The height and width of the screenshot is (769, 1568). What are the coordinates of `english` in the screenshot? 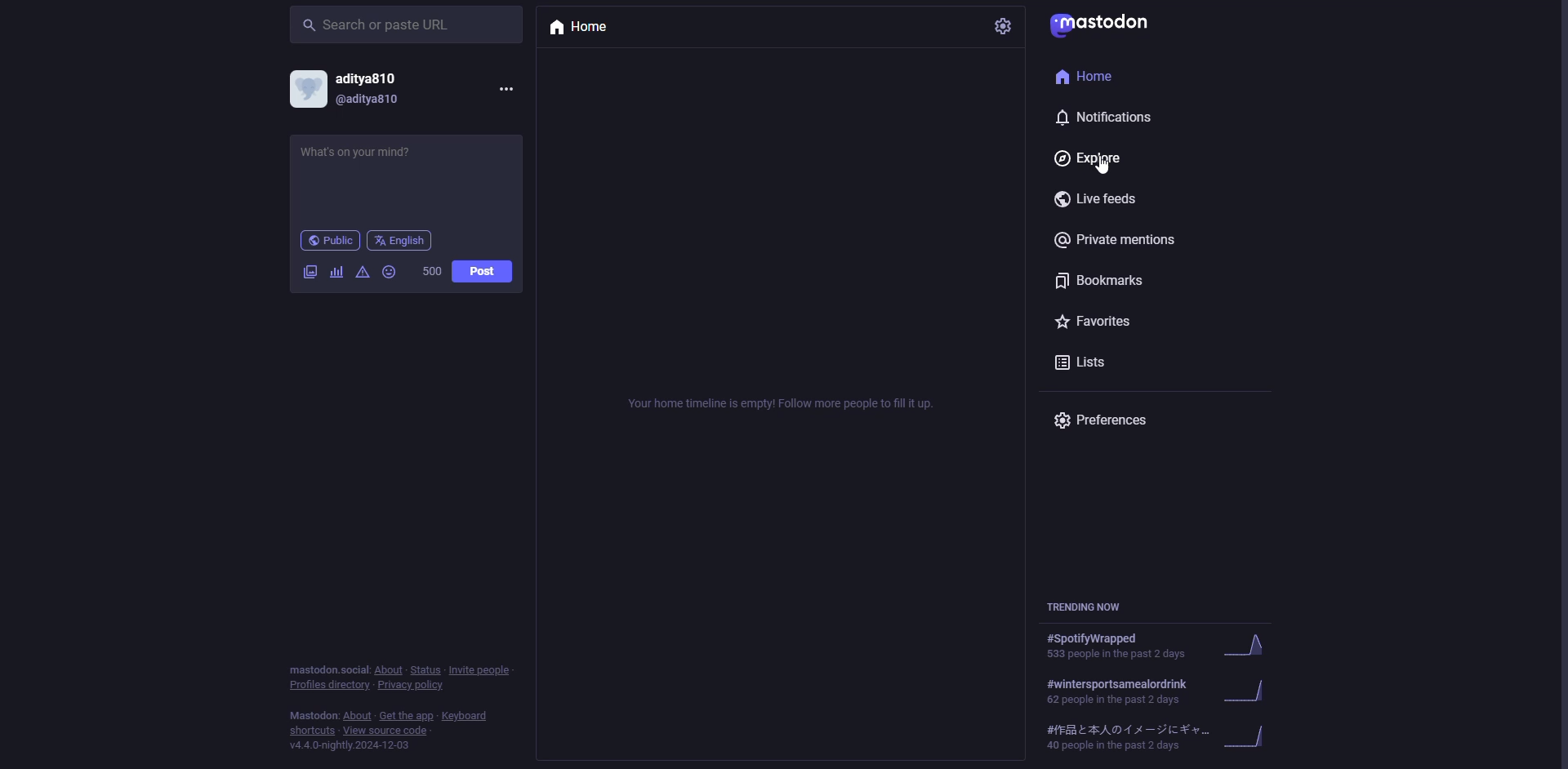 It's located at (403, 241).